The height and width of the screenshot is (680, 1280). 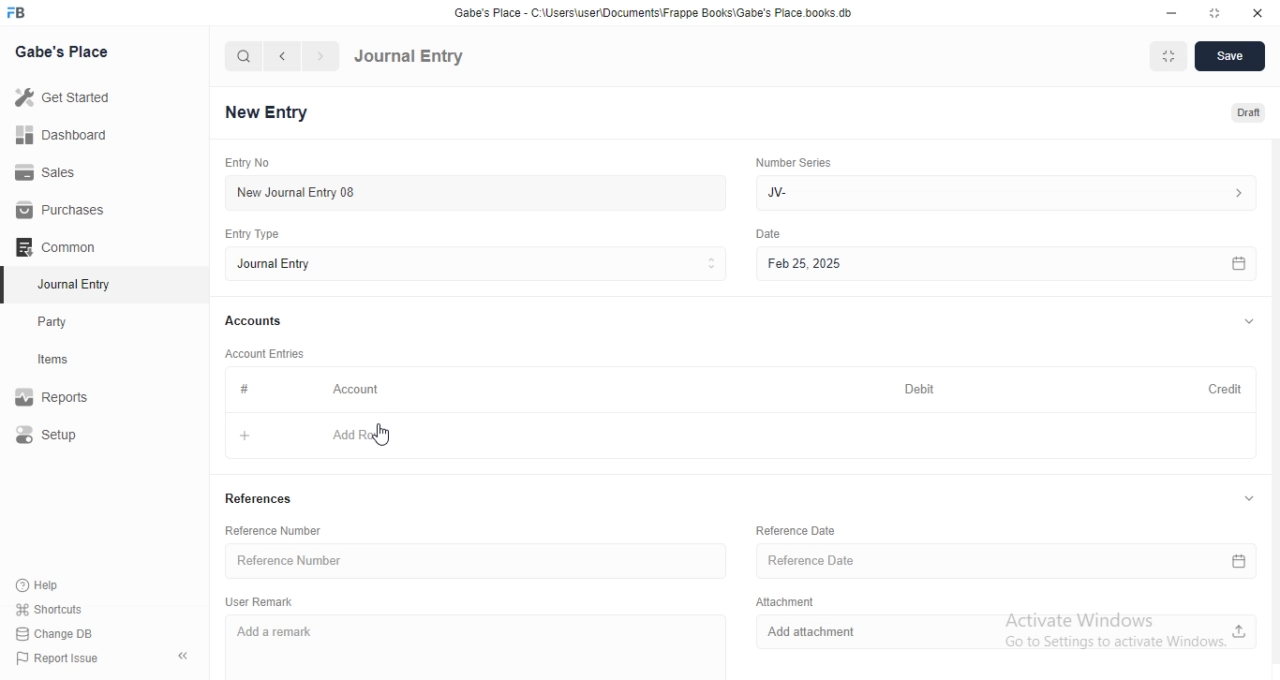 What do you see at coordinates (470, 192) in the screenshot?
I see `New Journal Entry 08` at bounding box center [470, 192].